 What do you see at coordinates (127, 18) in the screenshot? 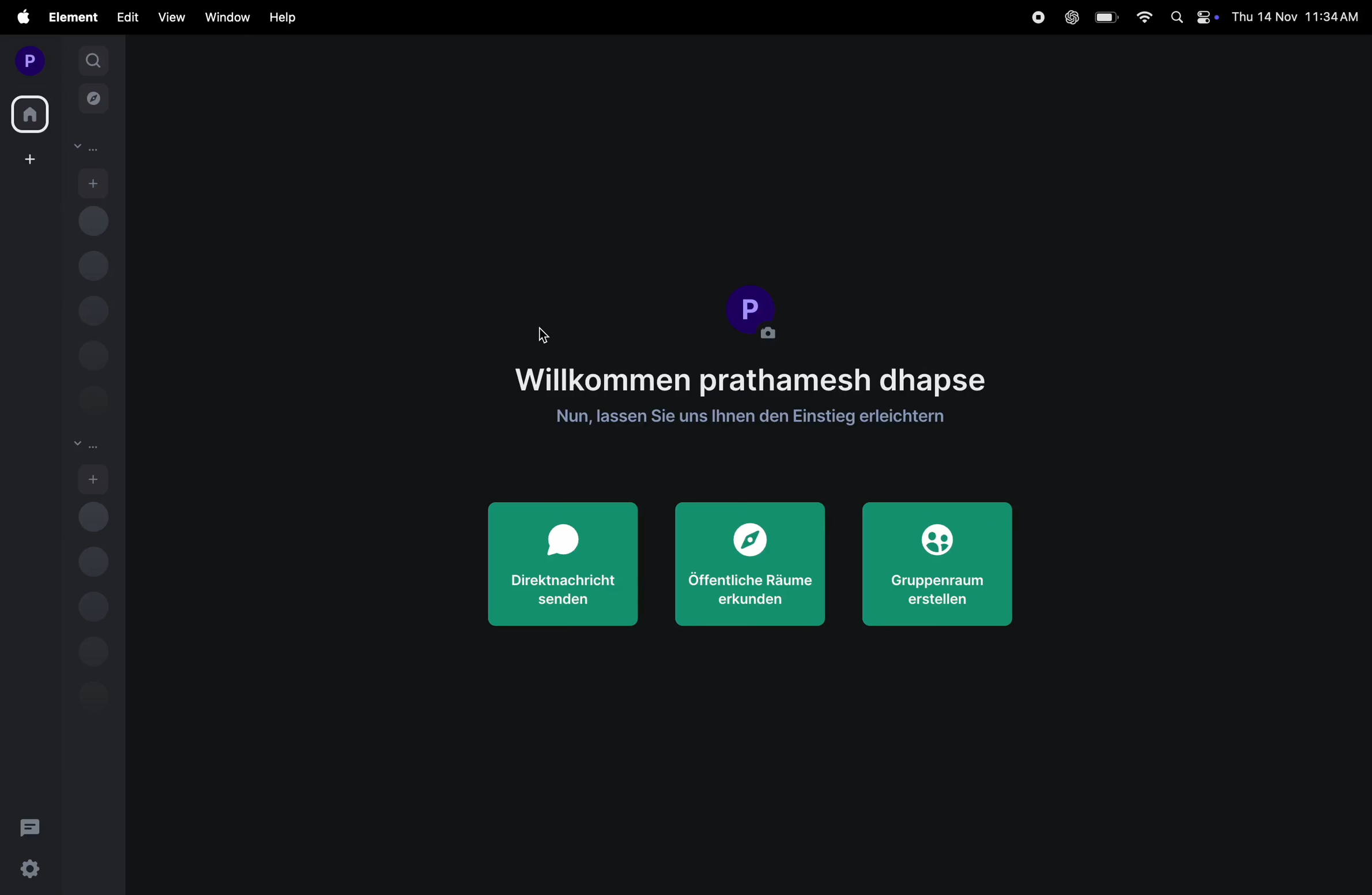
I see `edit` at bounding box center [127, 18].